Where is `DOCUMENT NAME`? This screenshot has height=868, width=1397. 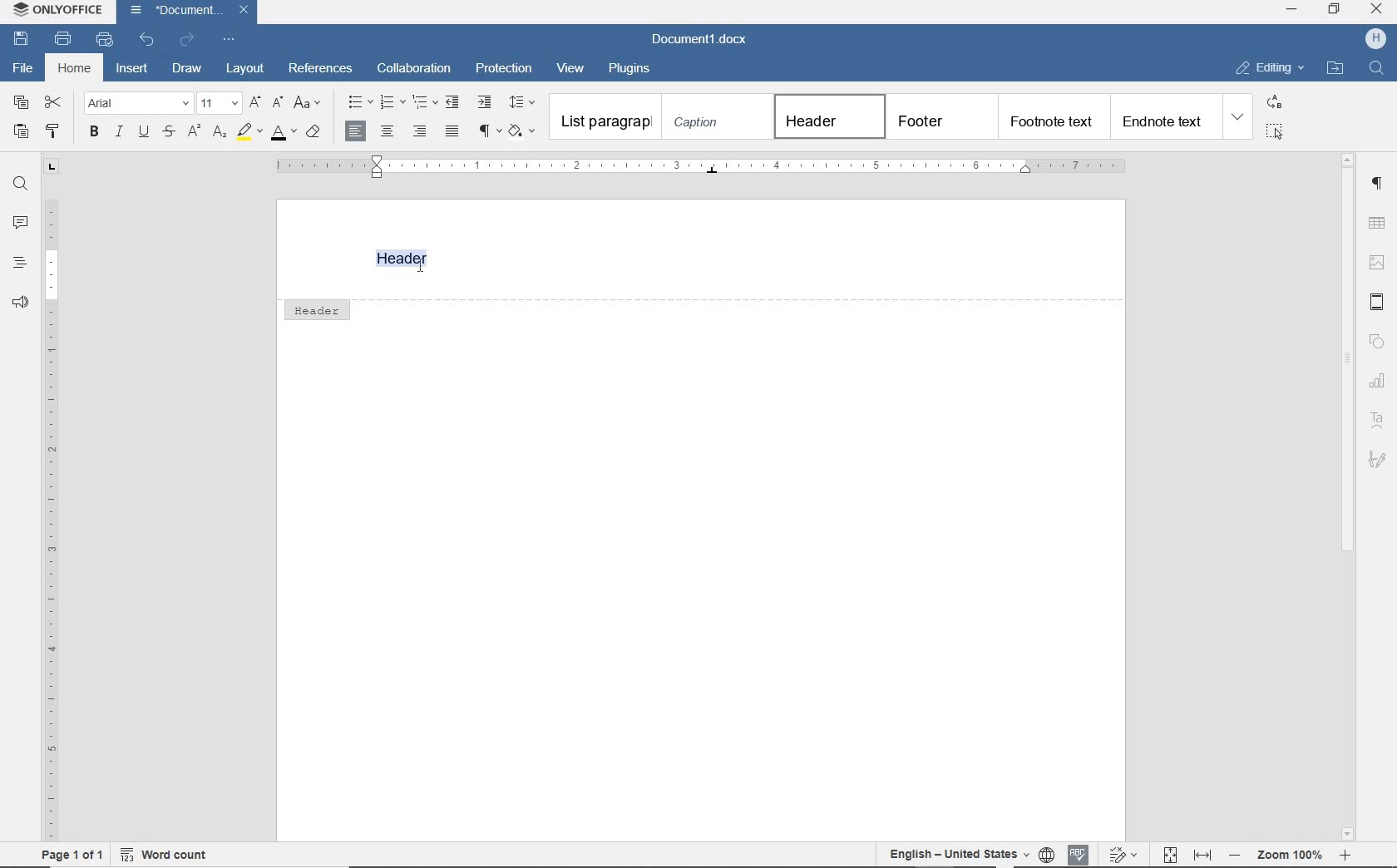 DOCUMENT NAME is located at coordinates (699, 41).